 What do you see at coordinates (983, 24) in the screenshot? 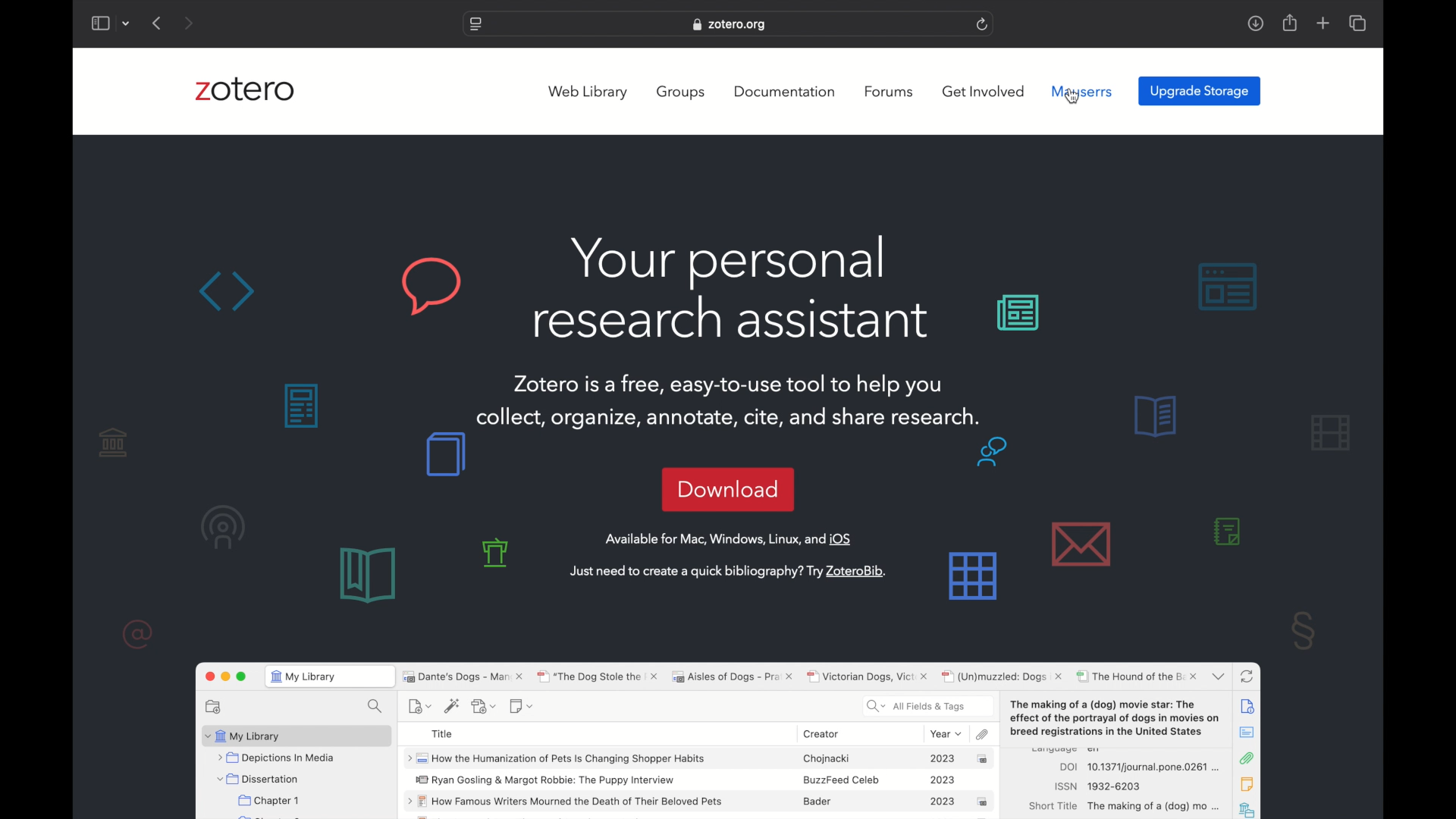
I see `refresh` at bounding box center [983, 24].